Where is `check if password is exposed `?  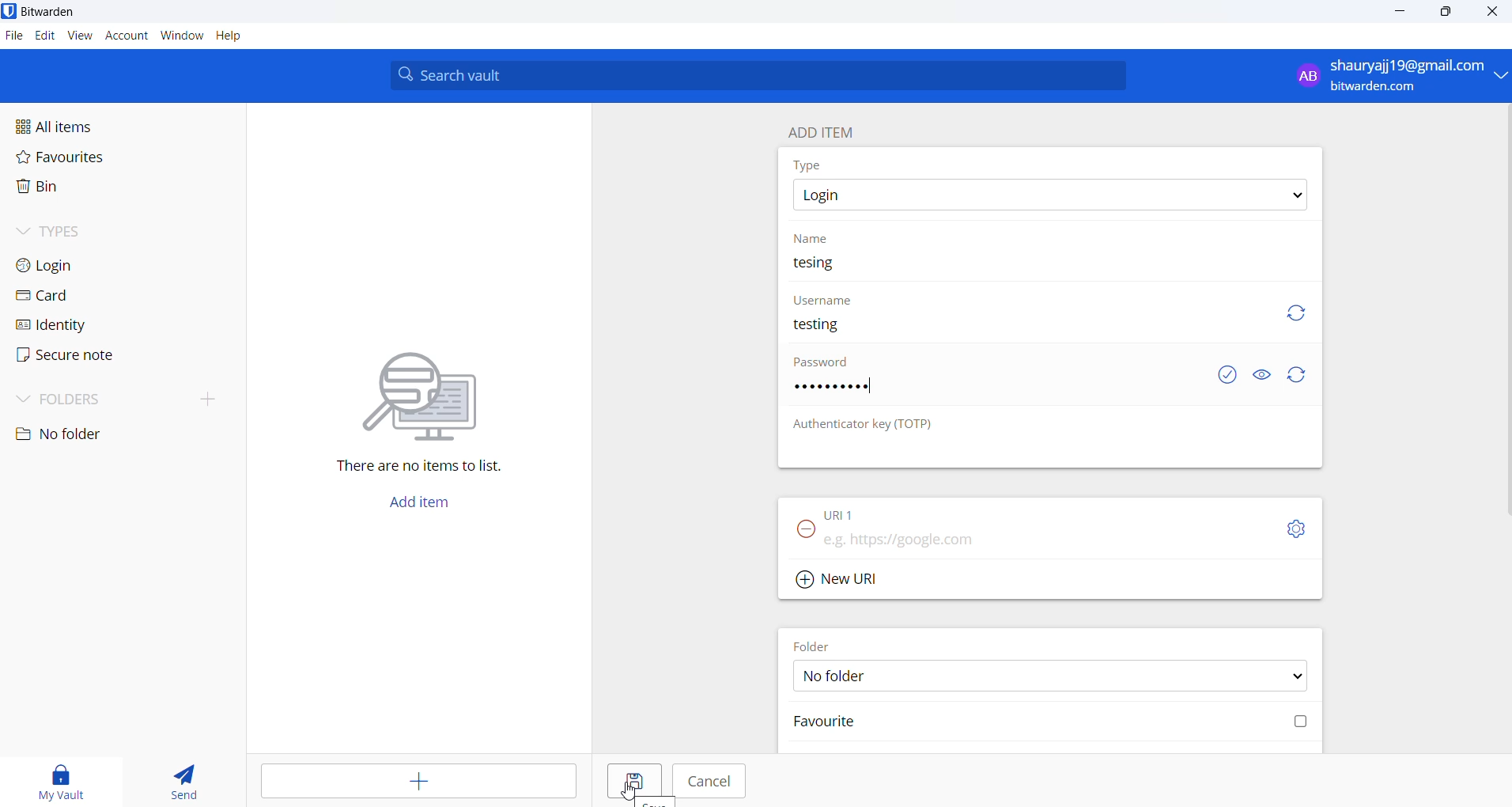
check if password is exposed  is located at coordinates (1227, 375).